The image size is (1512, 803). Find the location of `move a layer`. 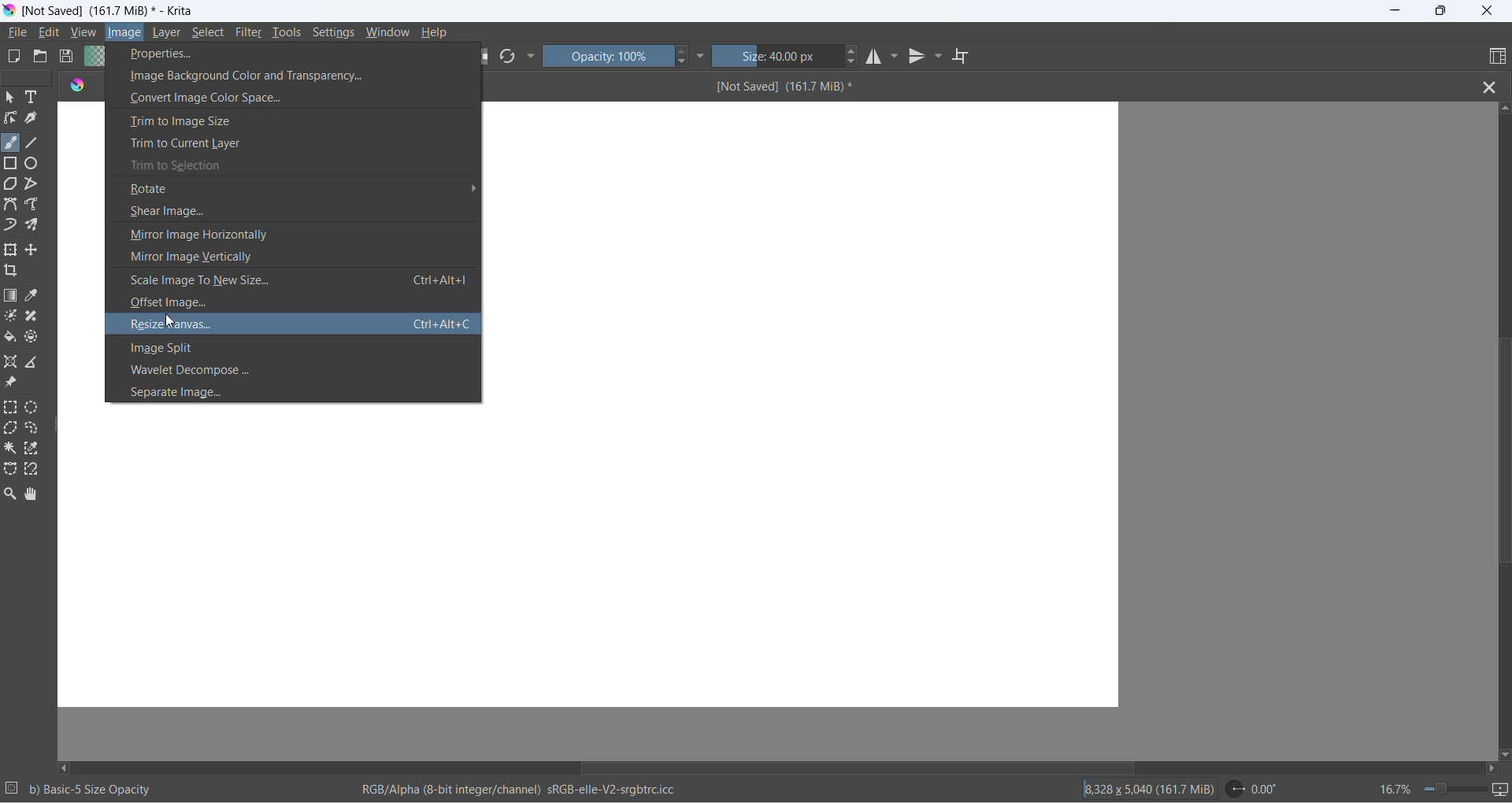

move a layer is located at coordinates (34, 250).